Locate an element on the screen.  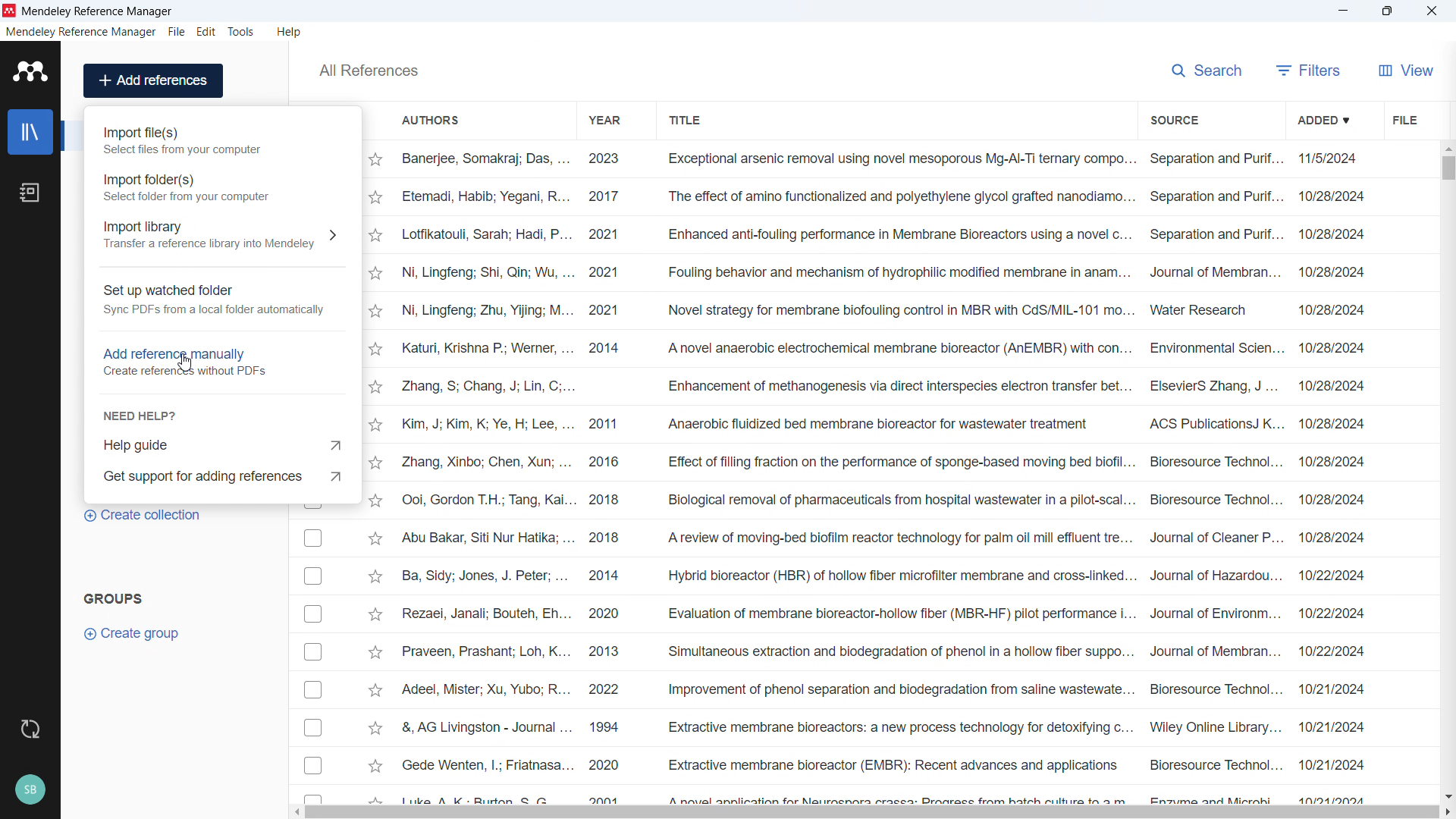
Library  is located at coordinates (30, 132).